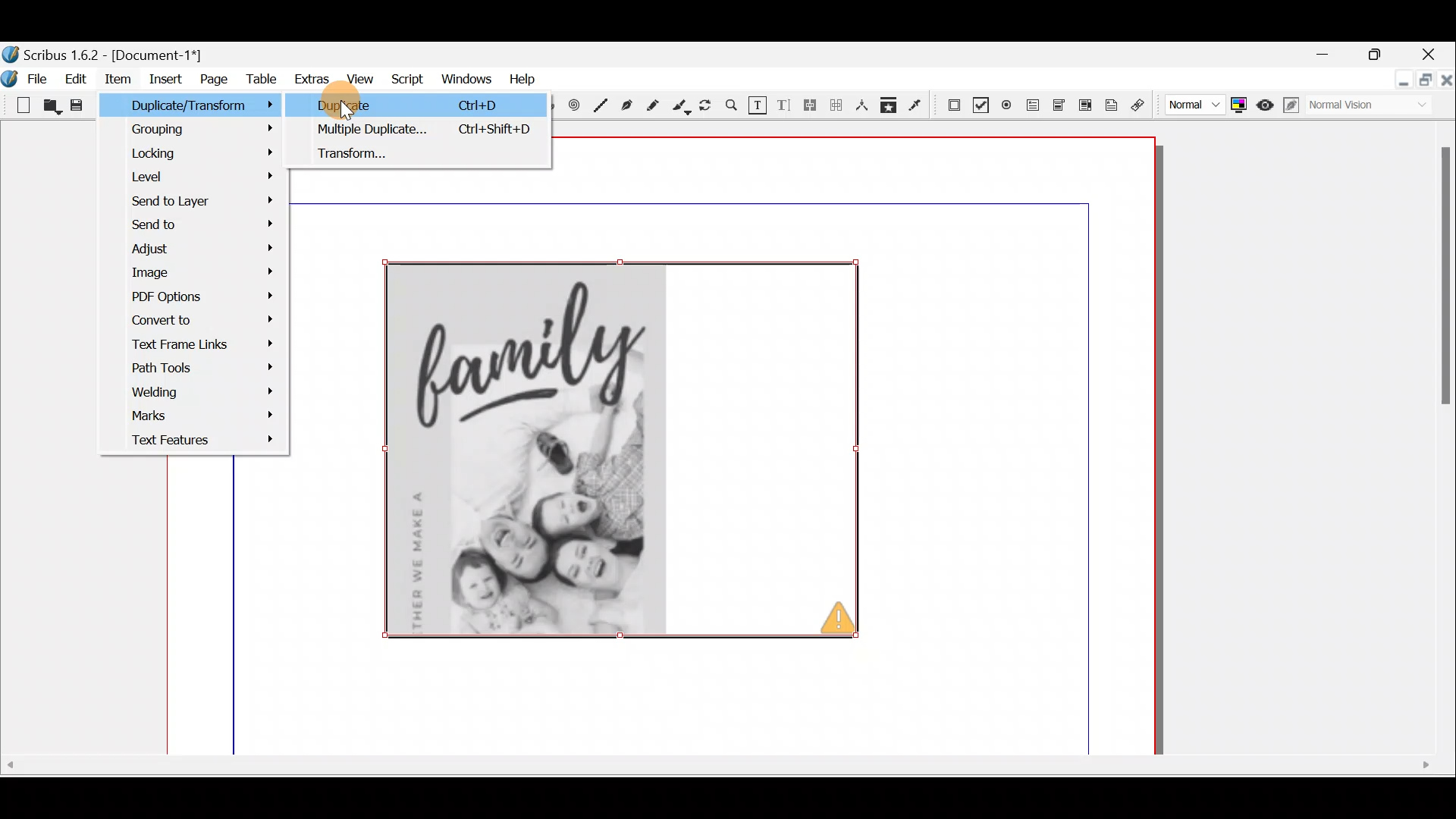 This screenshot has width=1456, height=819. I want to click on Maximise, so click(1423, 83).